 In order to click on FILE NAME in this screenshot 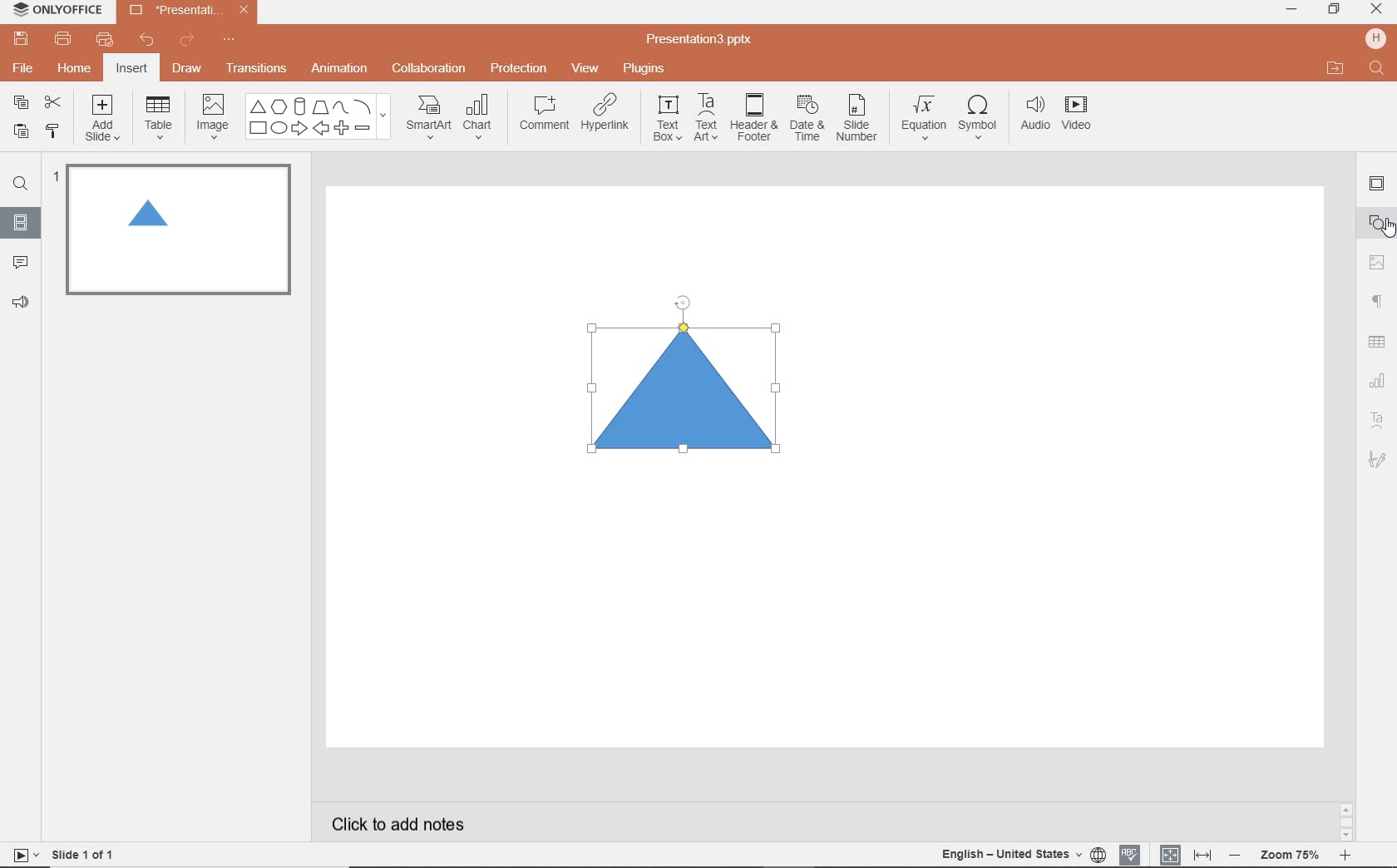, I will do `click(702, 40)`.